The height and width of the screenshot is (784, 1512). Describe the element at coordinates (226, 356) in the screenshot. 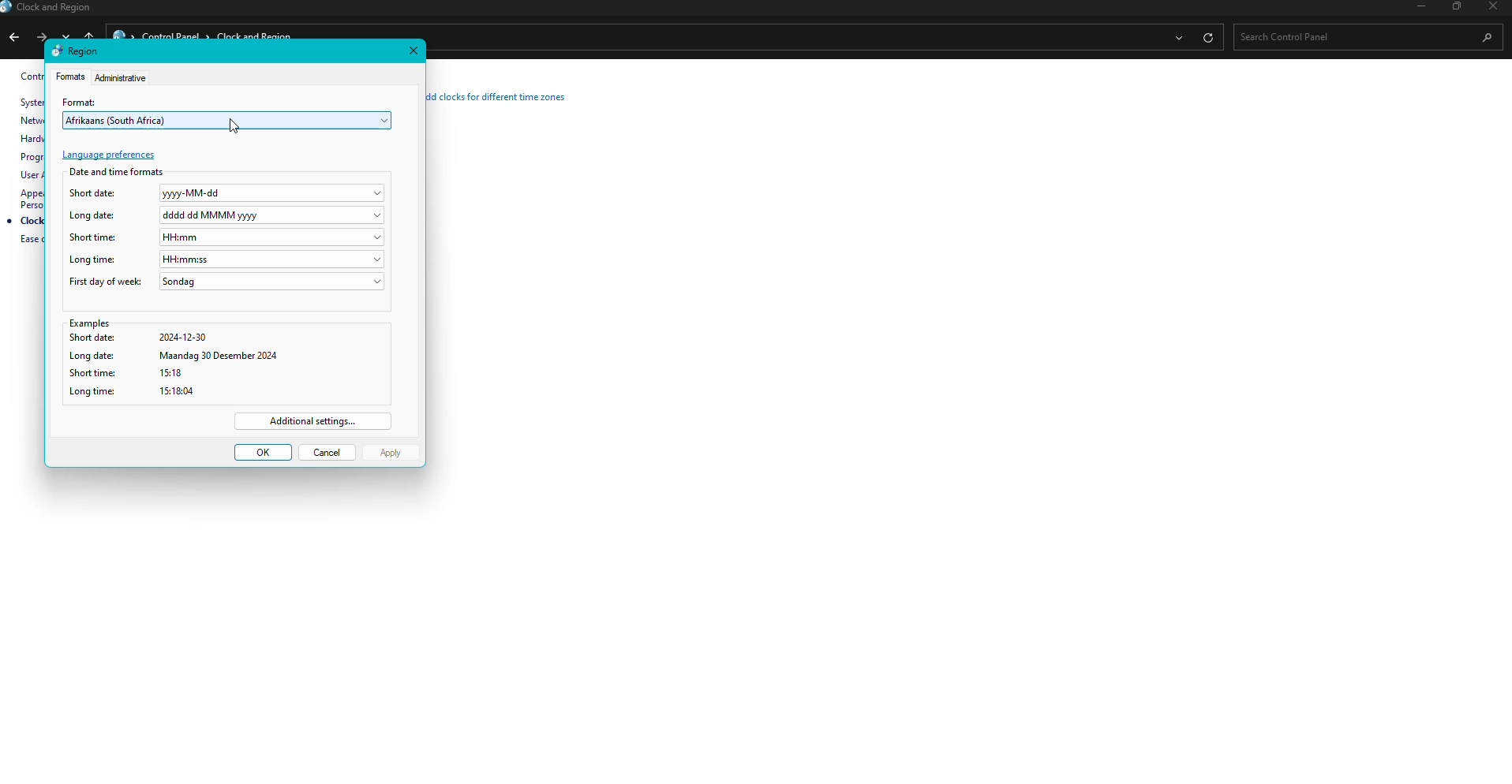

I see `long date` at that location.